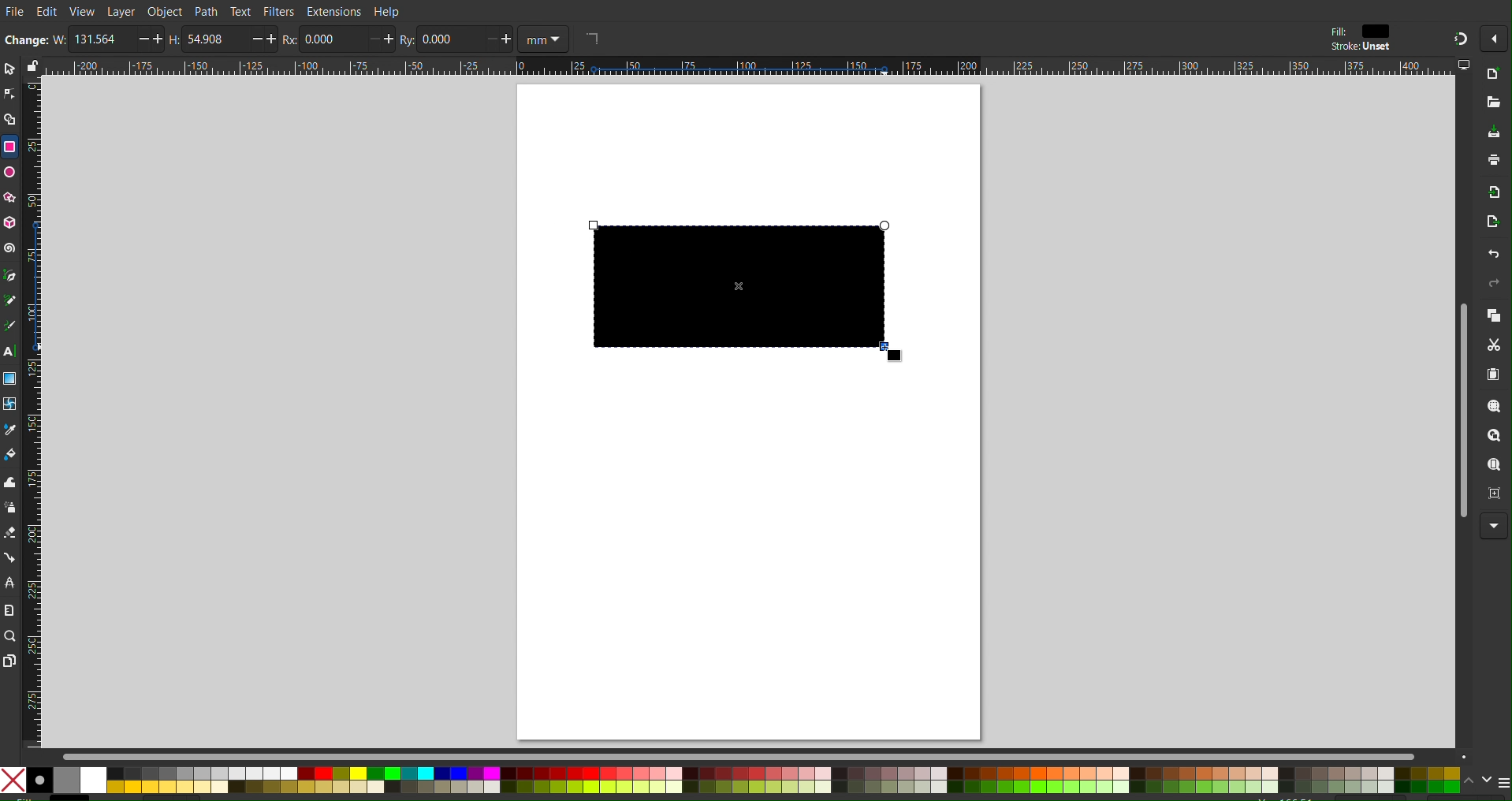 Image resolution: width=1512 pixels, height=801 pixels. What do you see at coordinates (1357, 47) in the screenshot?
I see `stroke:` at bounding box center [1357, 47].